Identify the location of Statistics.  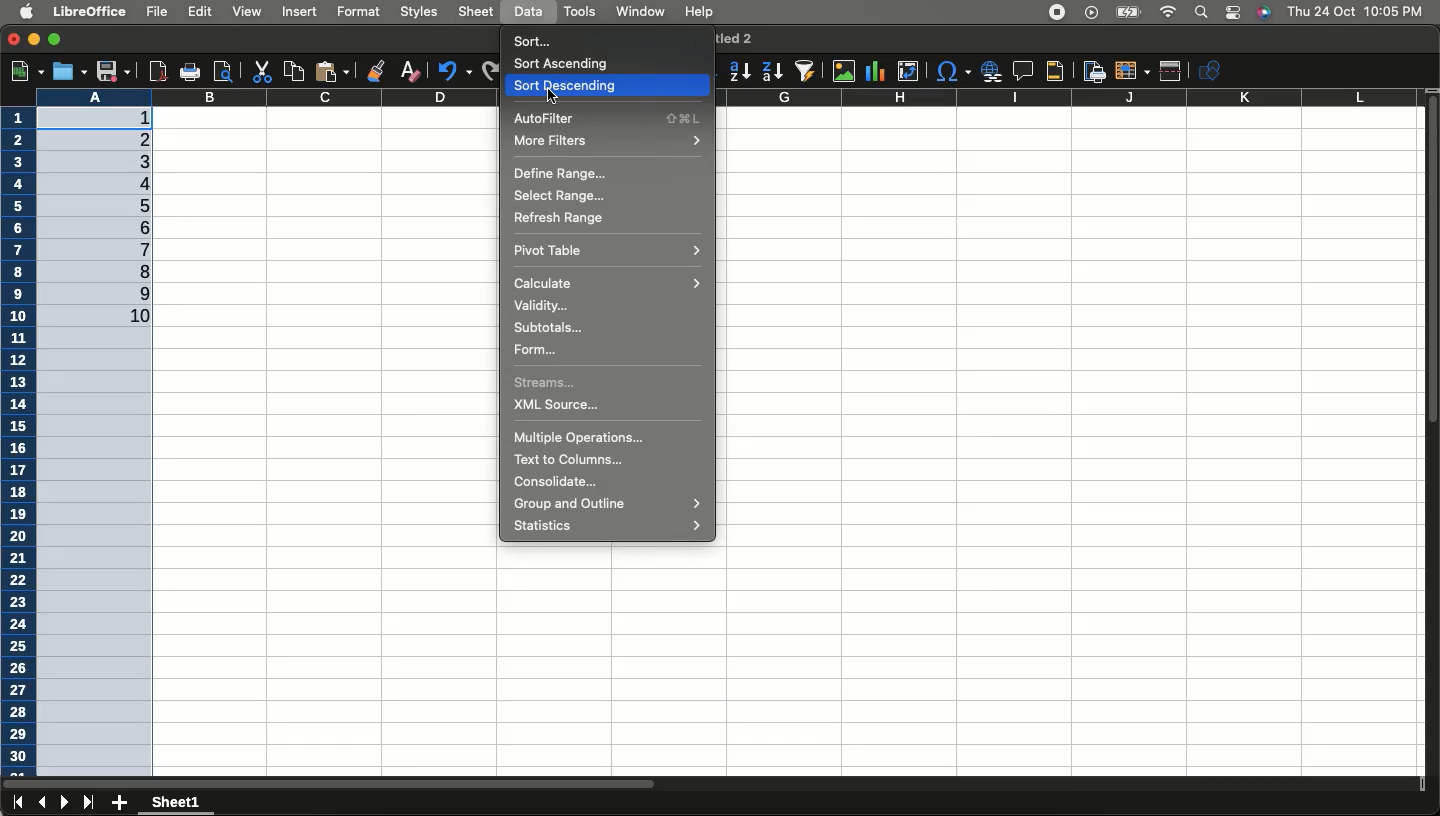
(611, 526).